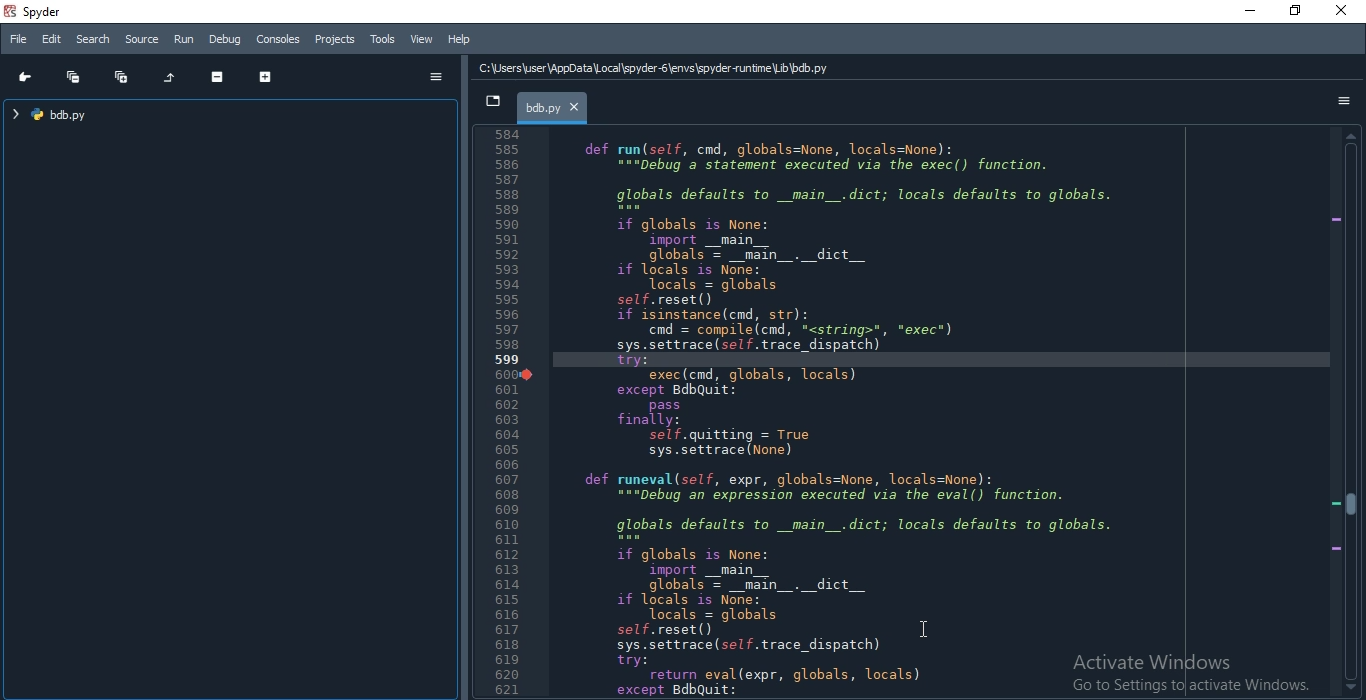  Describe the element at coordinates (184, 38) in the screenshot. I see `Run` at that location.